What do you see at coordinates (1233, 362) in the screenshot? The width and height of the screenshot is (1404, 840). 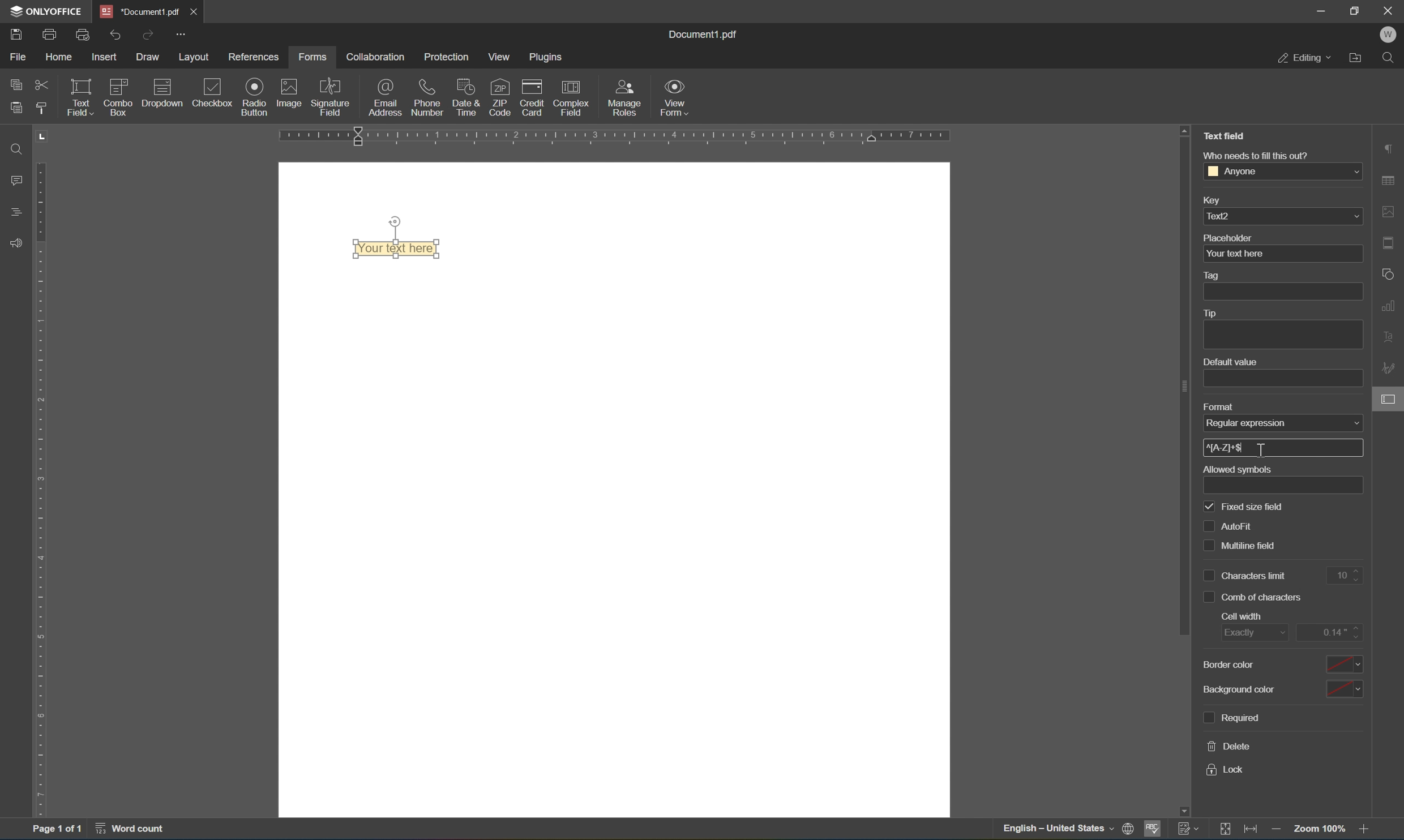 I see `default value` at bounding box center [1233, 362].